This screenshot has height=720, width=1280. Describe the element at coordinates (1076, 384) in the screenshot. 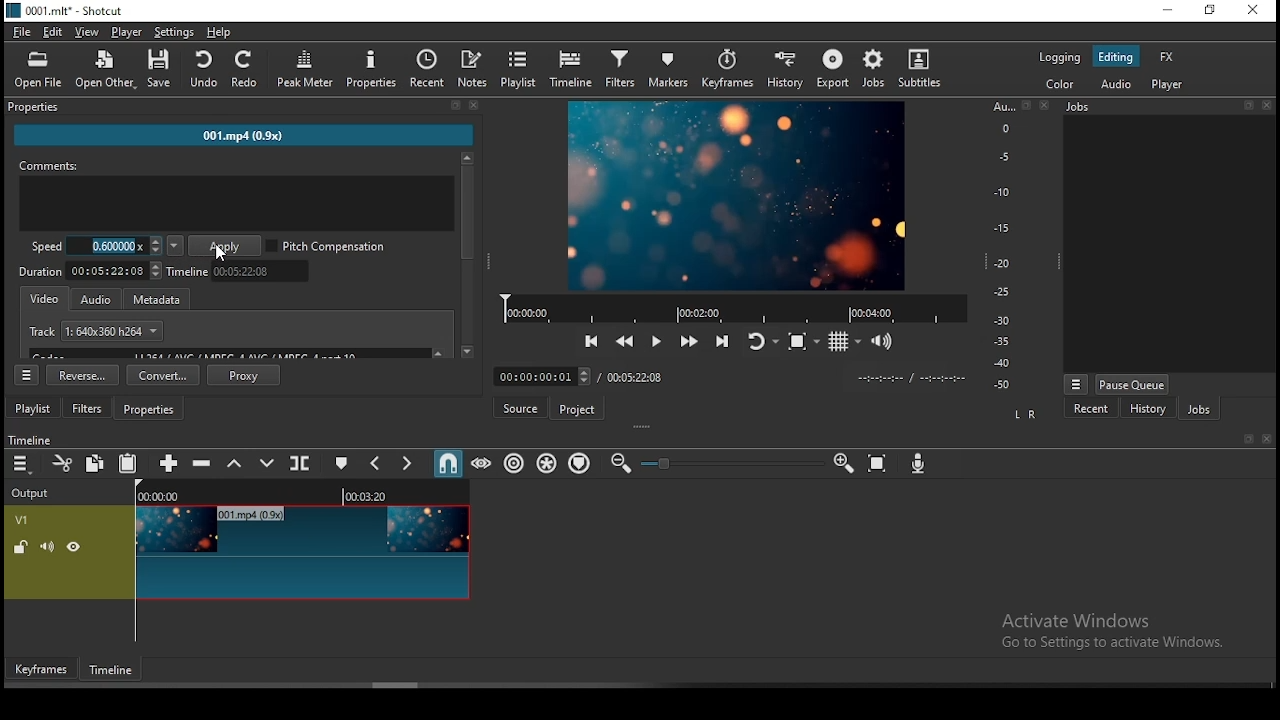

I see `view menu` at that location.